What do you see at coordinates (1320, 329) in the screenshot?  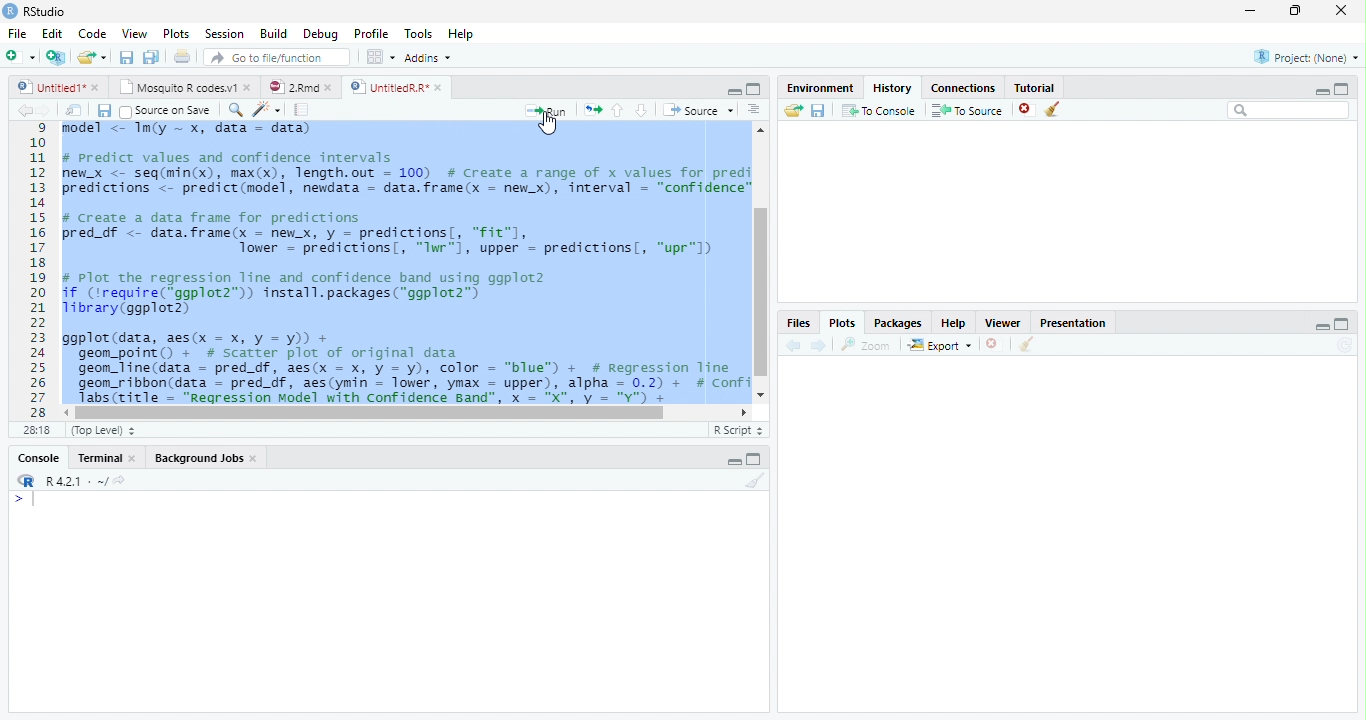 I see `minimize` at bounding box center [1320, 329].